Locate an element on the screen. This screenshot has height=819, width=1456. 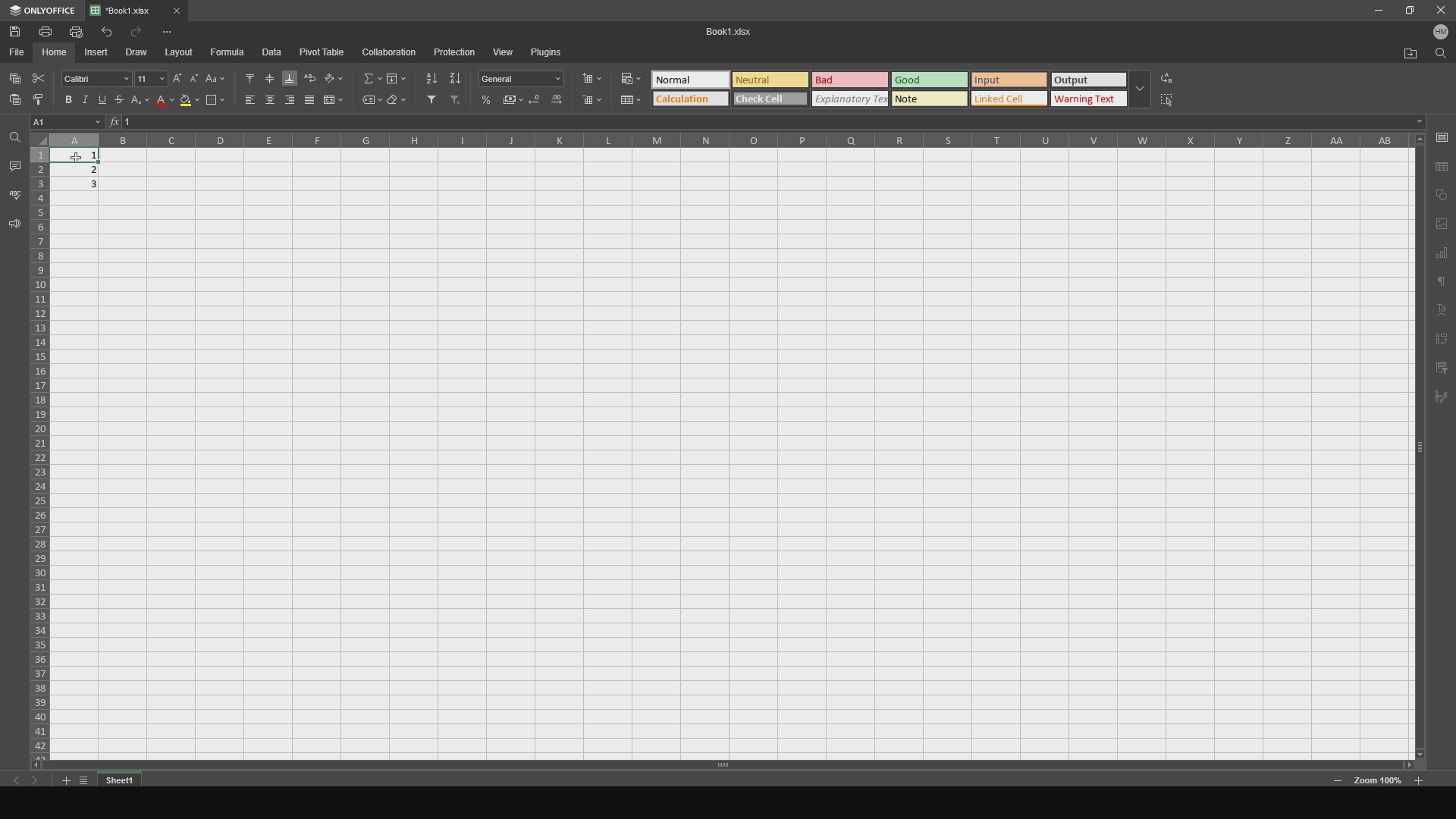
deselect filter is located at coordinates (457, 102).